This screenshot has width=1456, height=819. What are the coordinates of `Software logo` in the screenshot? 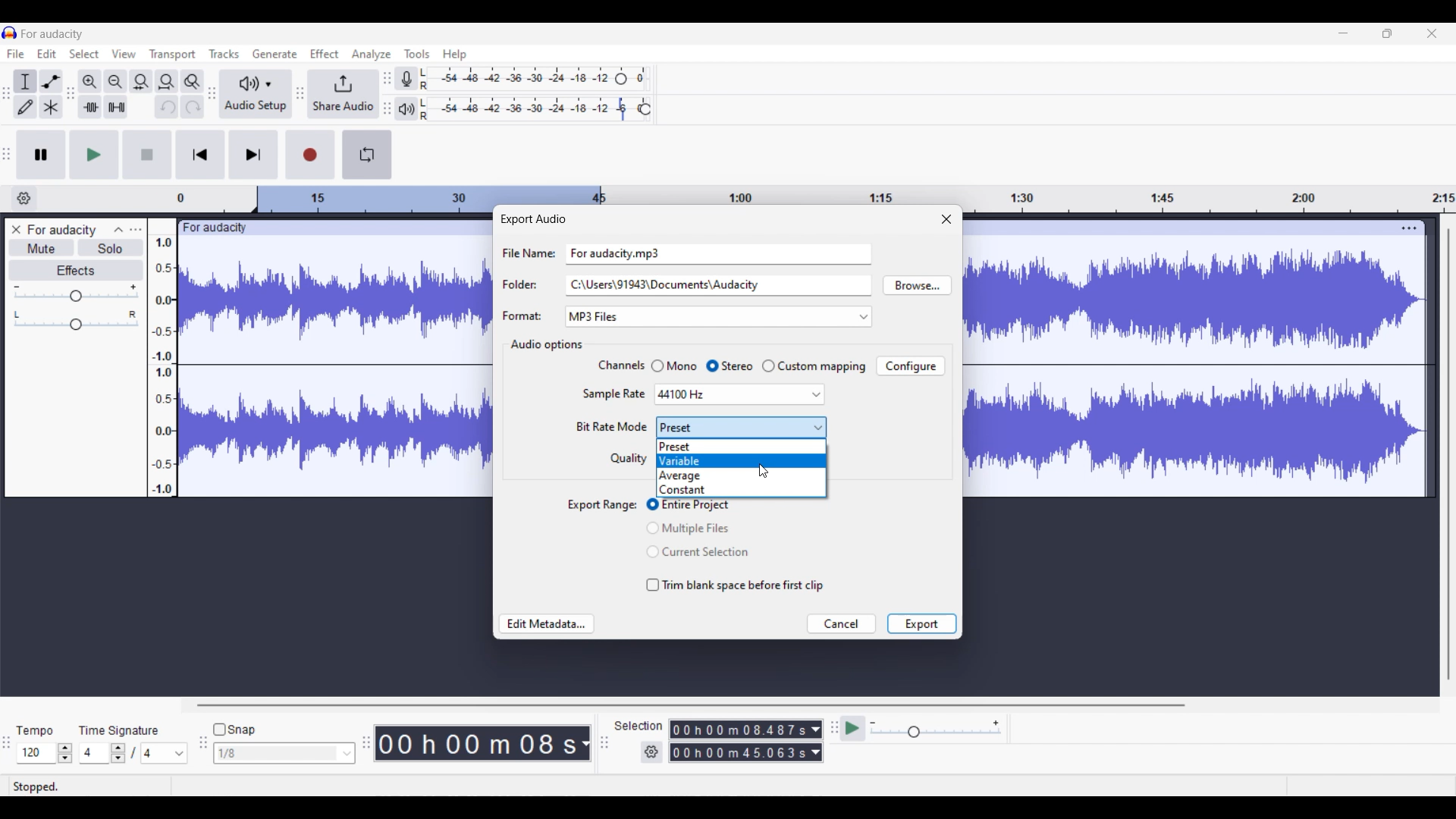 It's located at (10, 33).